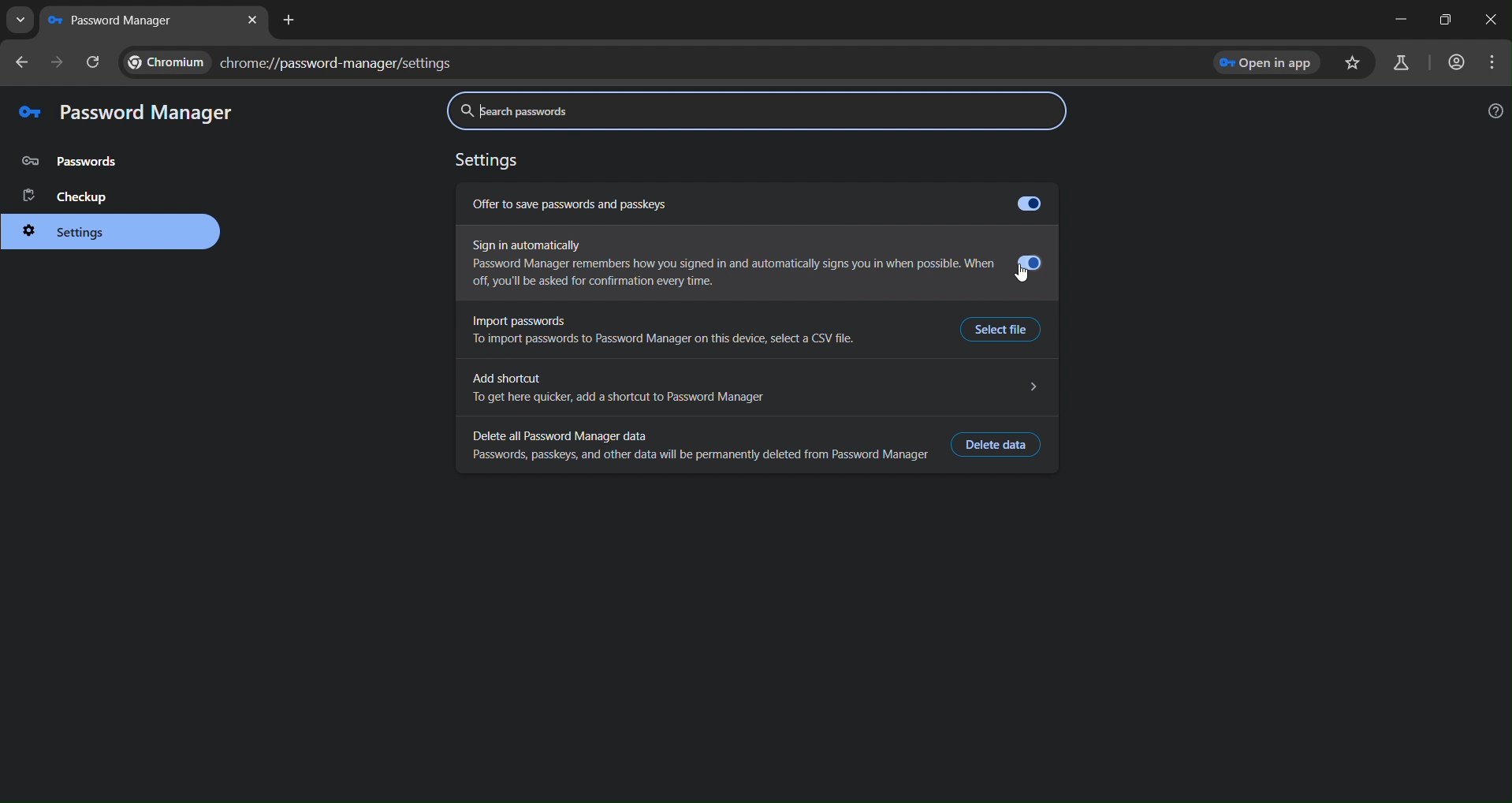 The image size is (1512, 803). What do you see at coordinates (1492, 64) in the screenshot?
I see `menu` at bounding box center [1492, 64].